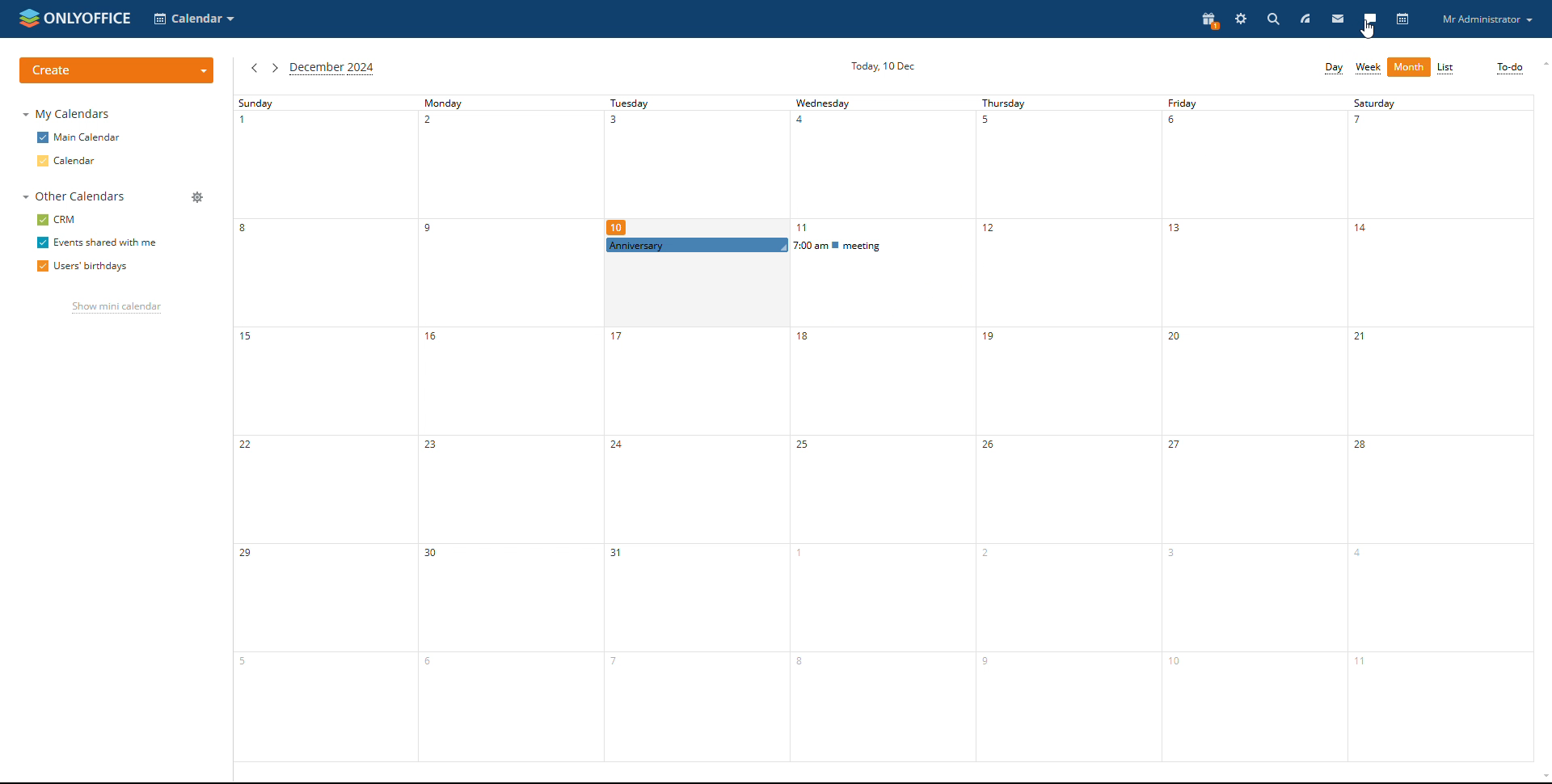 The width and height of the screenshot is (1552, 784). Describe the element at coordinates (76, 196) in the screenshot. I see `other calendars` at that location.